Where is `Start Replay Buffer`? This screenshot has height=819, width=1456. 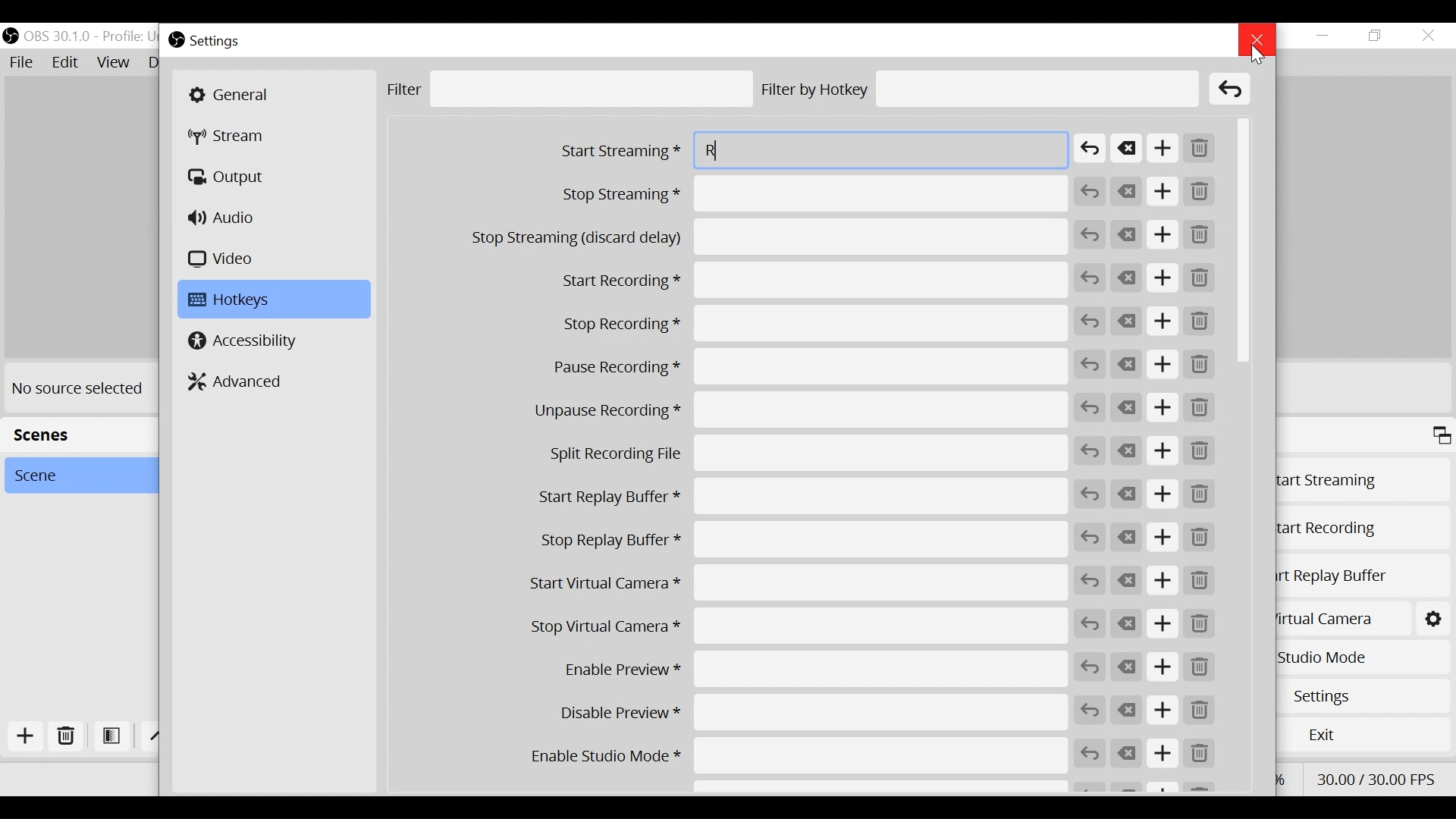
Start Replay Buffer is located at coordinates (798, 496).